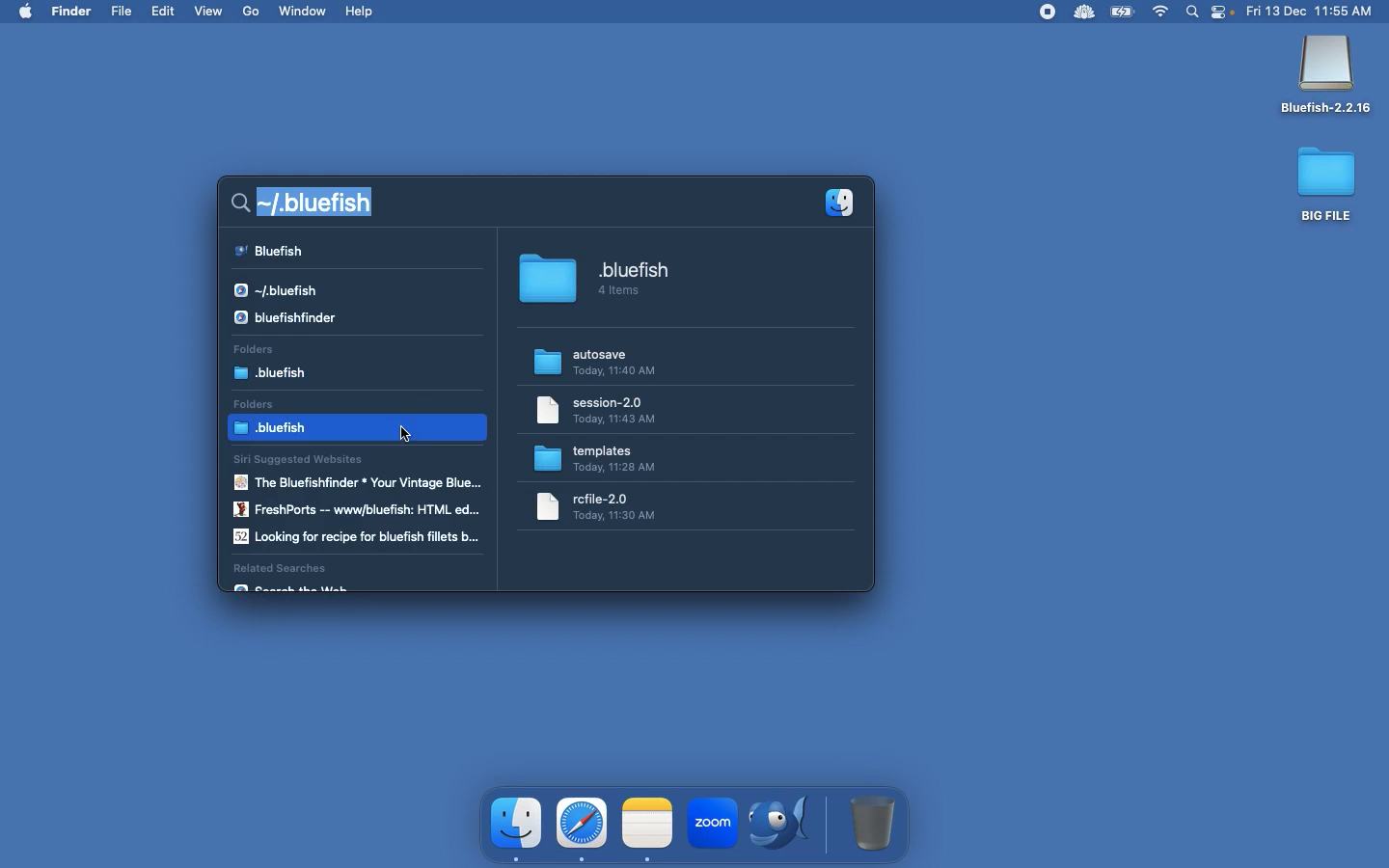 This screenshot has width=1389, height=868. What do you see at coordinates (355, 430) in the screenshot?
I see `bluefish` at bounding box center [355, 430].